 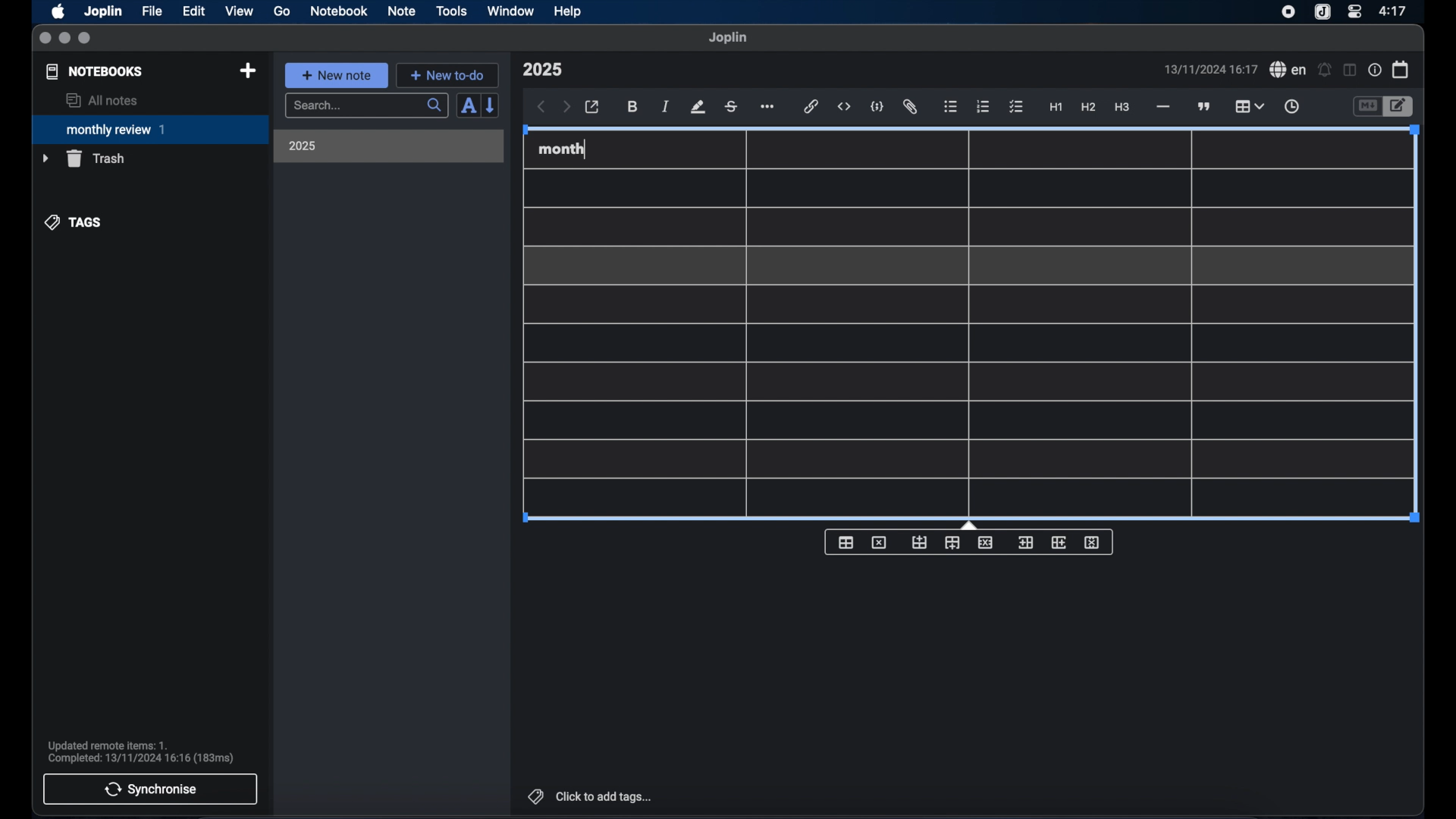 I want to click on month, so click(x=562, y=149).